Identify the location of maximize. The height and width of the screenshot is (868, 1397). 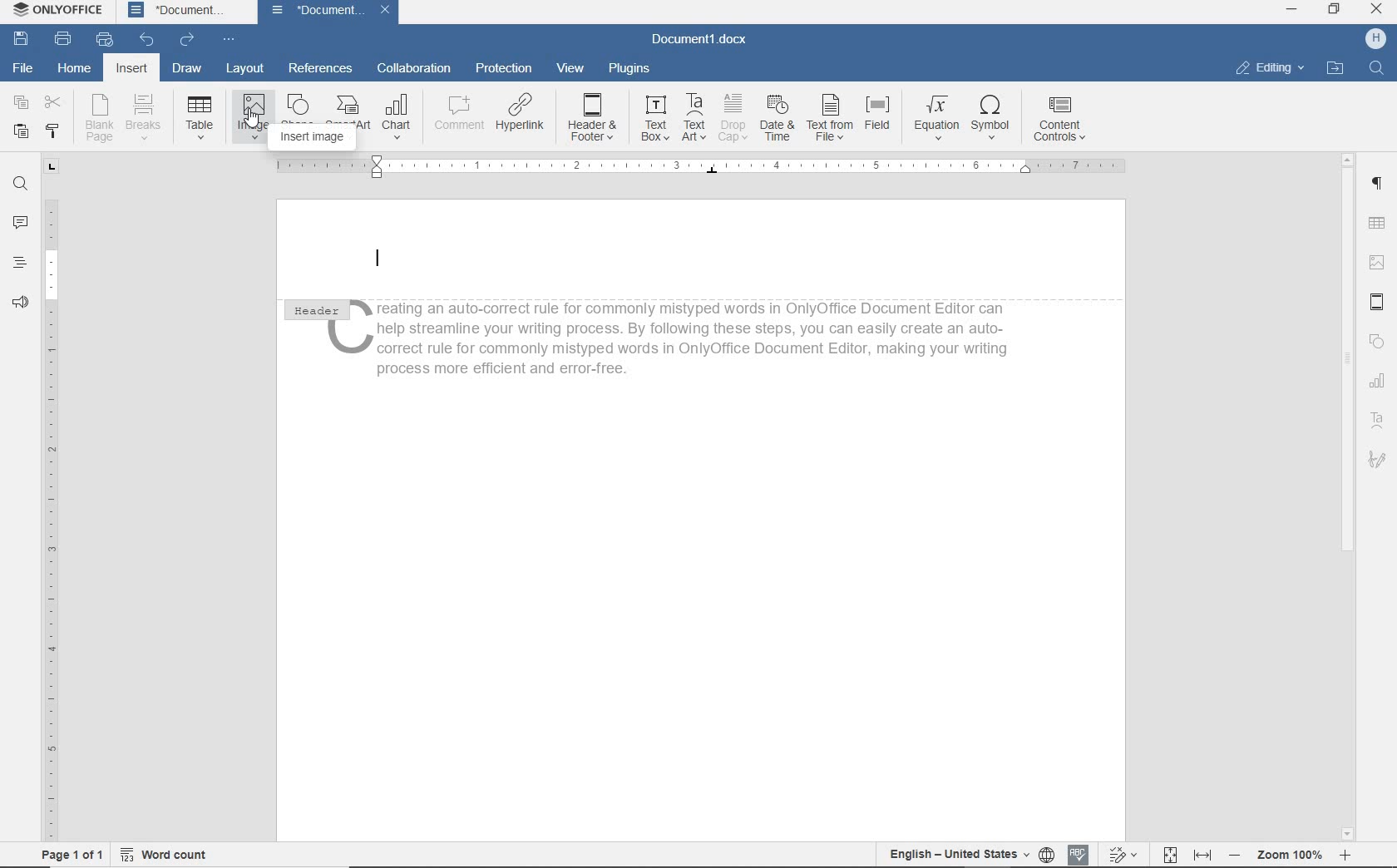
(1335, 10).